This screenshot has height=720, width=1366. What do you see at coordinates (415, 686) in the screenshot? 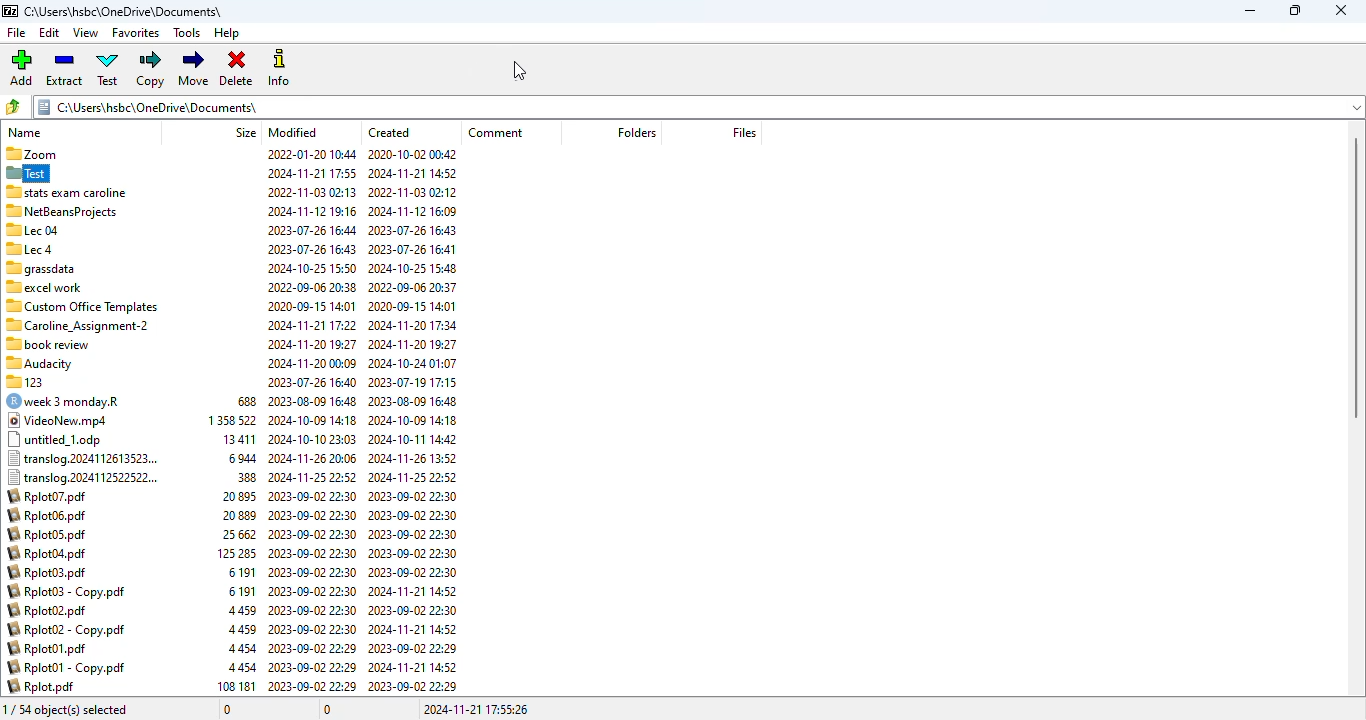
I see `2023-09-02 22:29` at bounding box center [415, 686].